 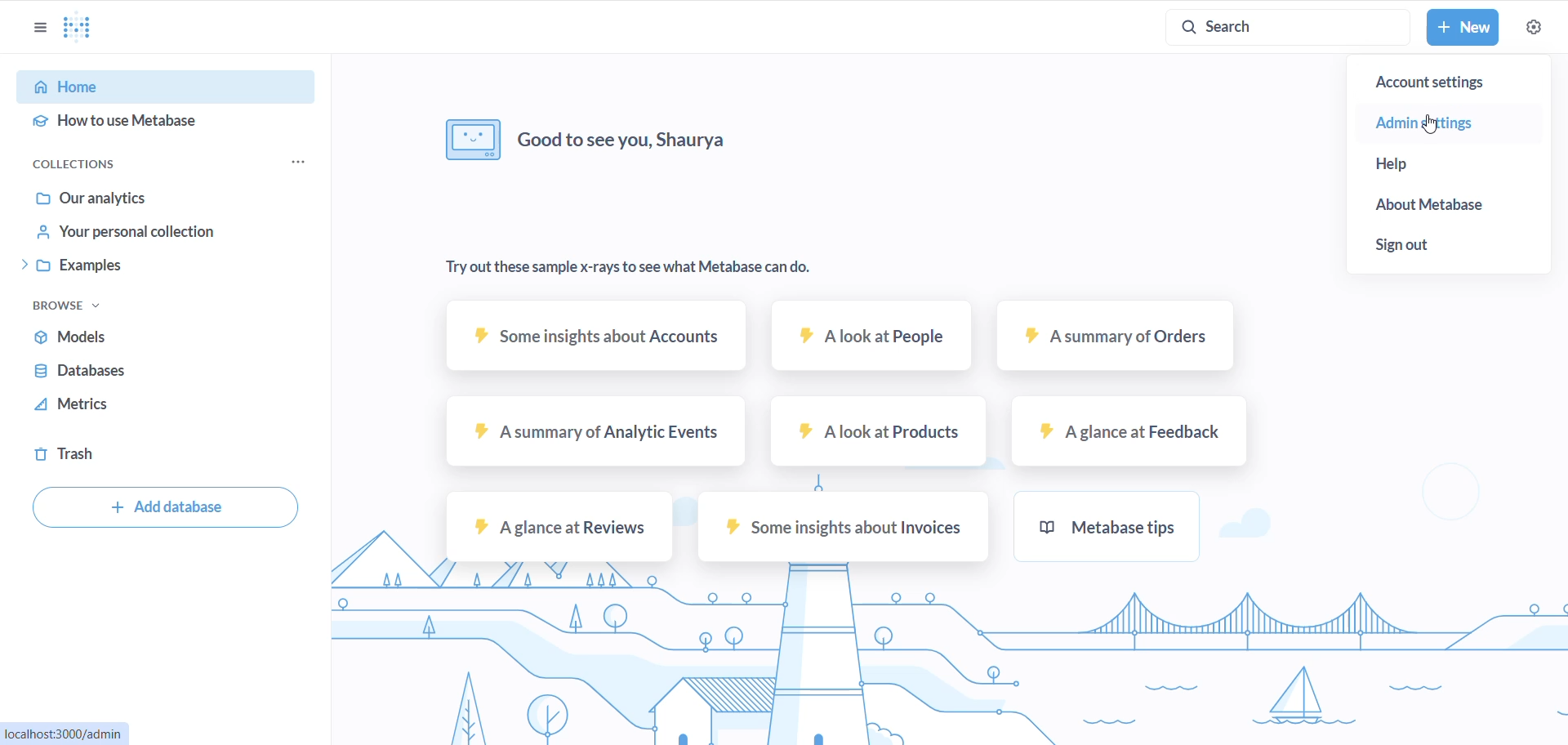 What do you see at coordinates (1110, 527) in the screenshot?
I see `metabase tips sample` at bounding box center [1110, 527].